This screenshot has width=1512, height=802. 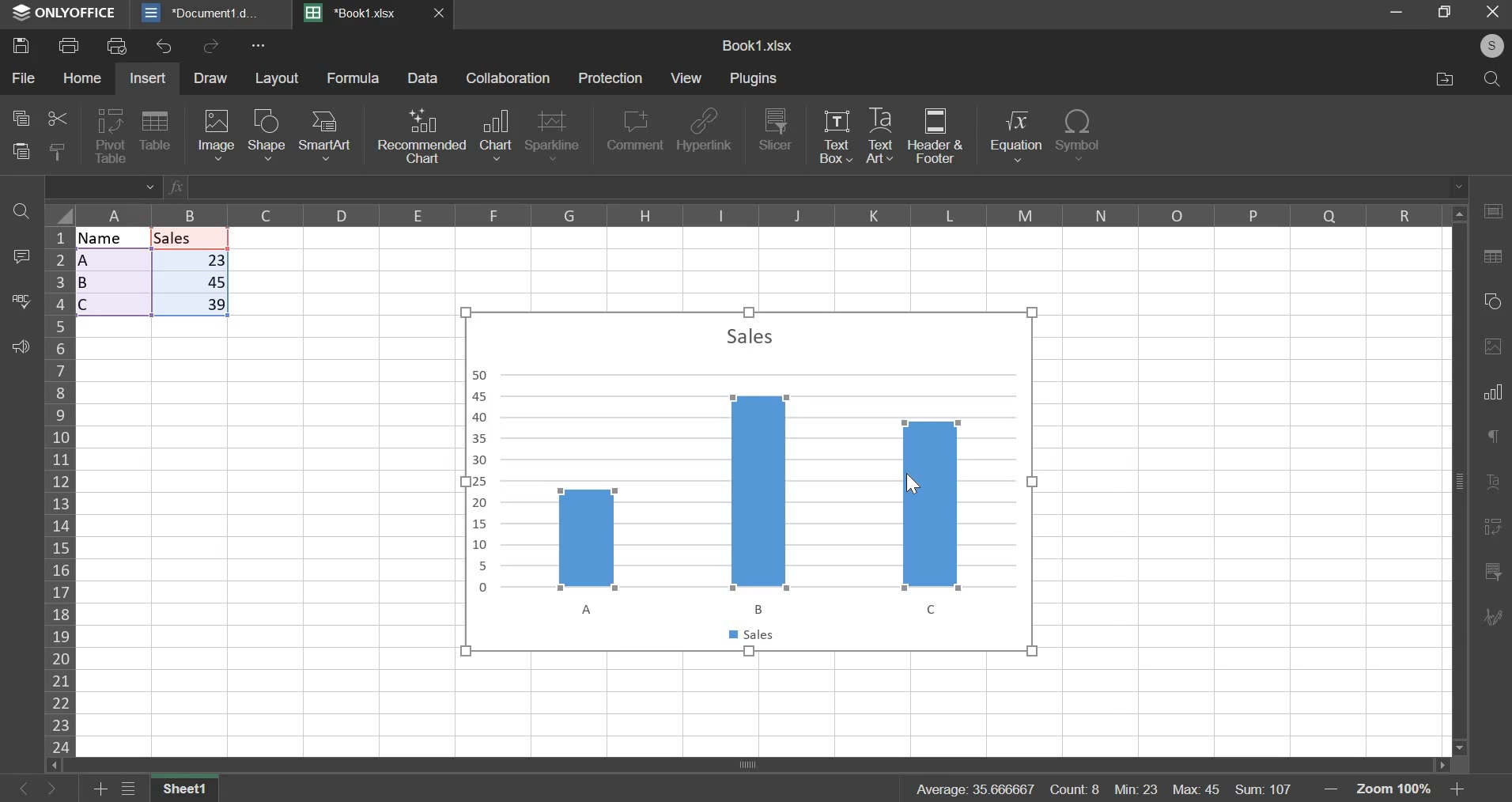 I want to click on Search/Replace Tool, so click(x=1491, y=258).